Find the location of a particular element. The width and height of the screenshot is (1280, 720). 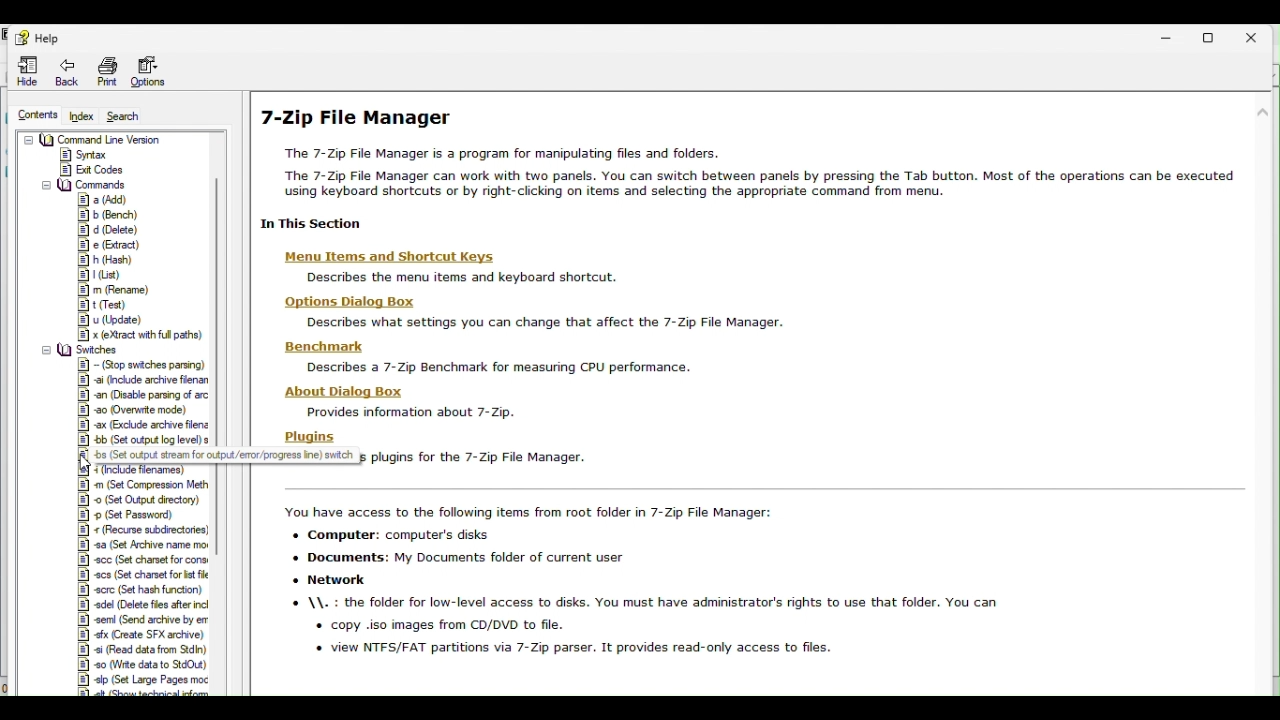

collapse is located at coordinates (43, 187).